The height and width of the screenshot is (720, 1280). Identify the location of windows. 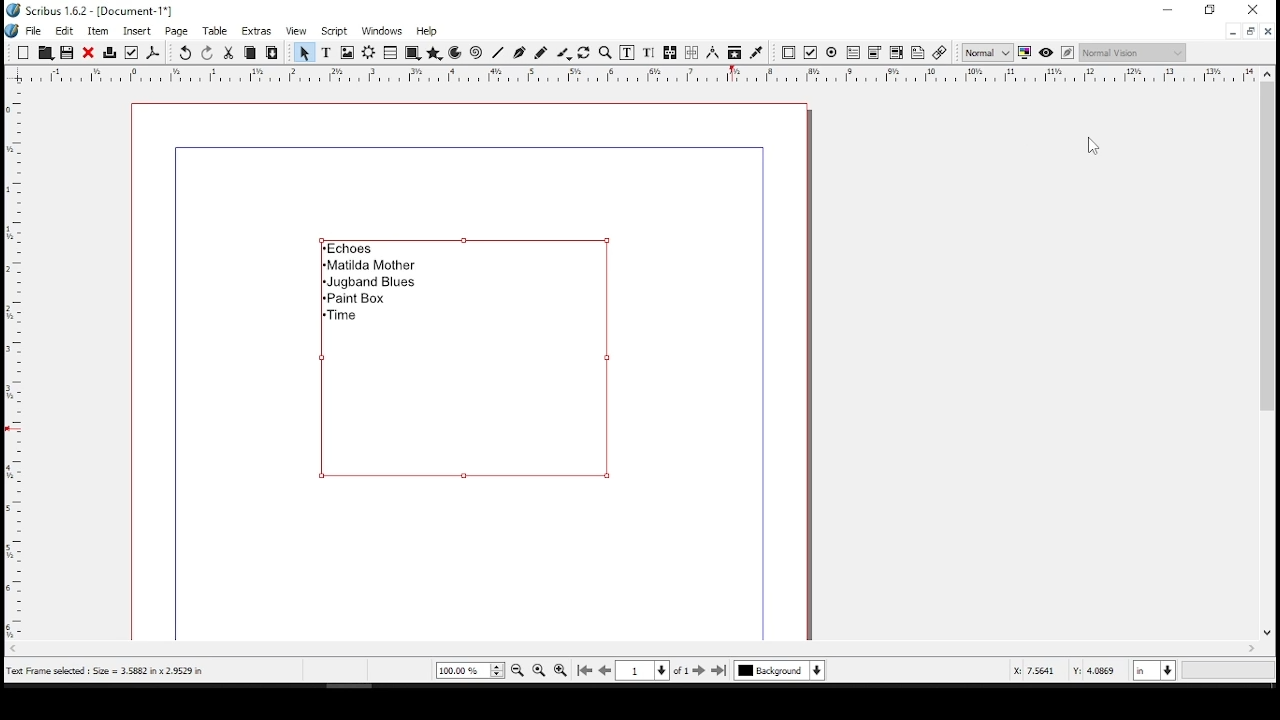
(381, 31).